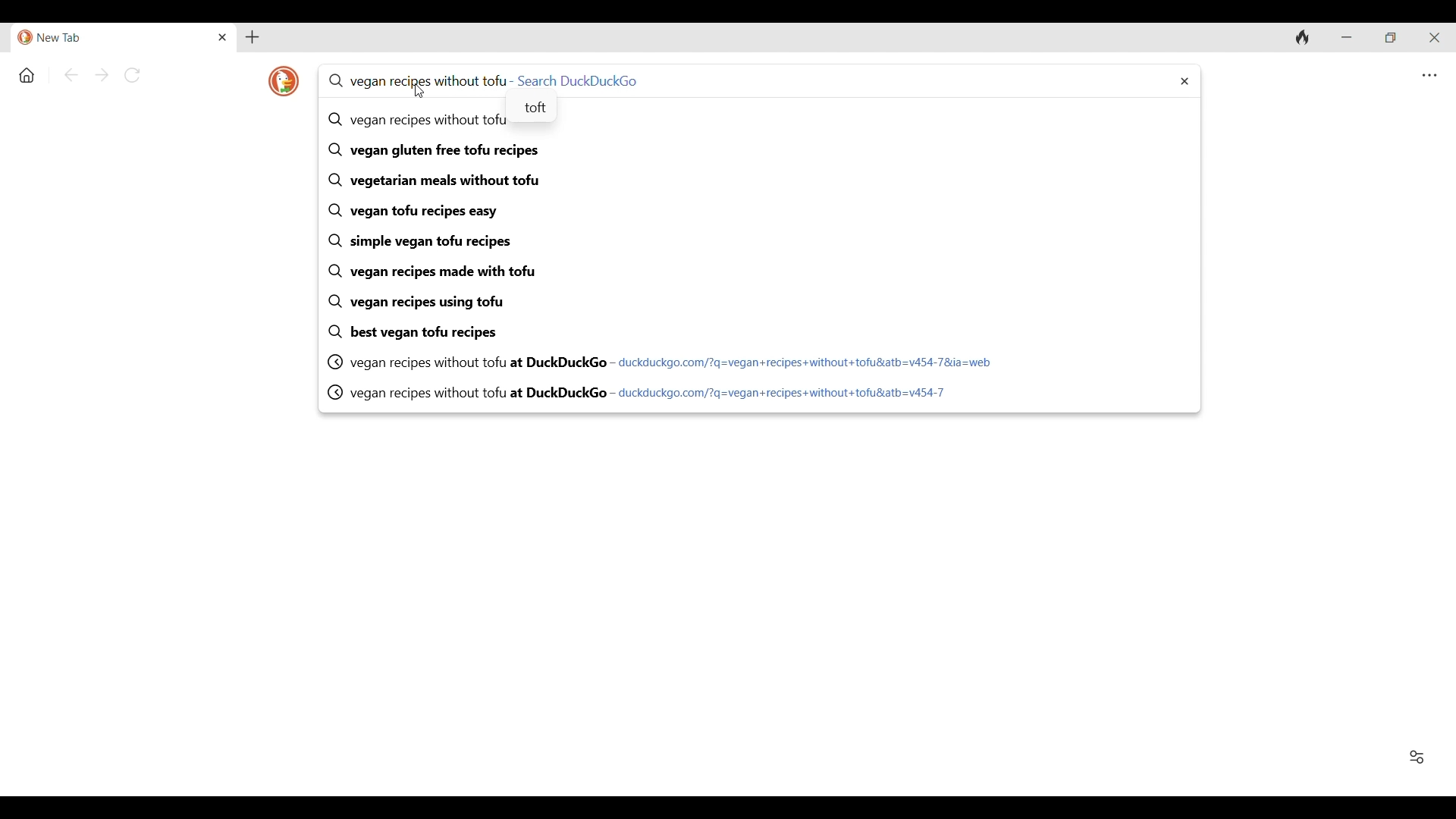  What do you see at coordinates (111, 38) in the screenshot?
I see `New Tab` at bounding box center [111, 38].